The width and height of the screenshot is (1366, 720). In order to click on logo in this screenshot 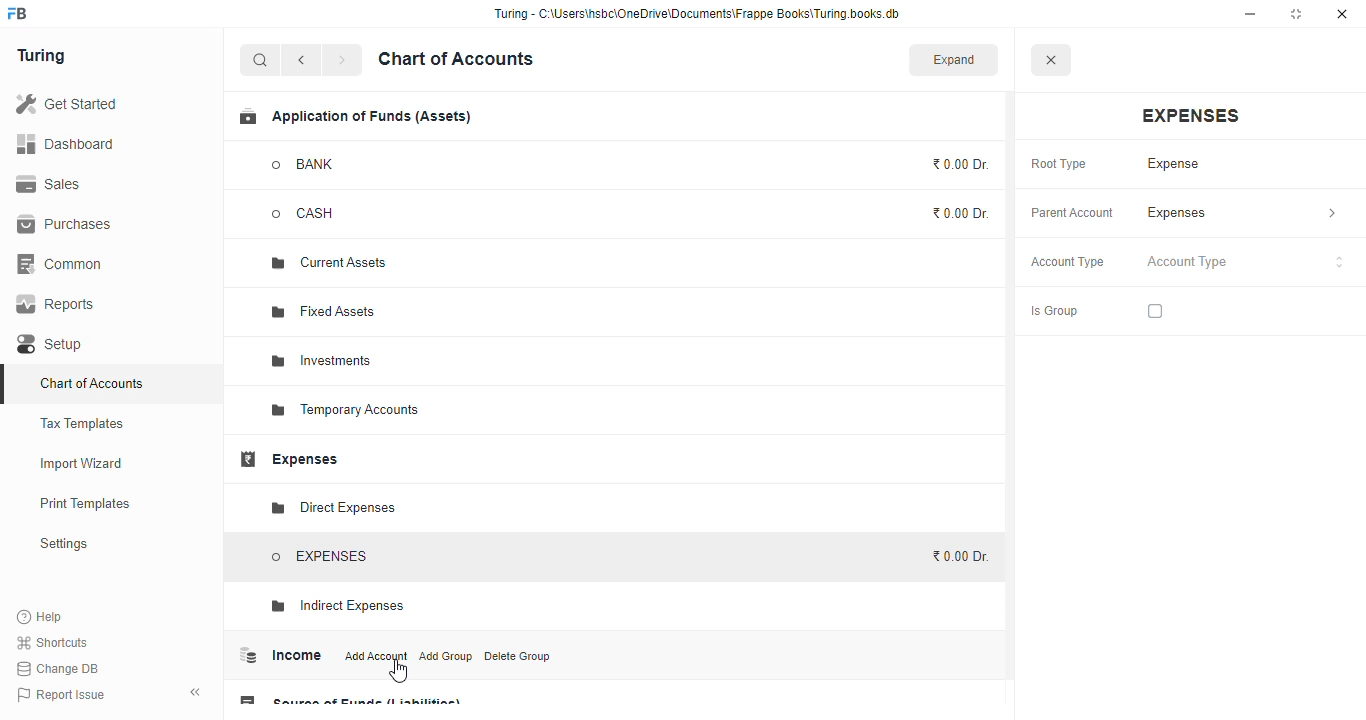, I will do `click(18, 13)`.